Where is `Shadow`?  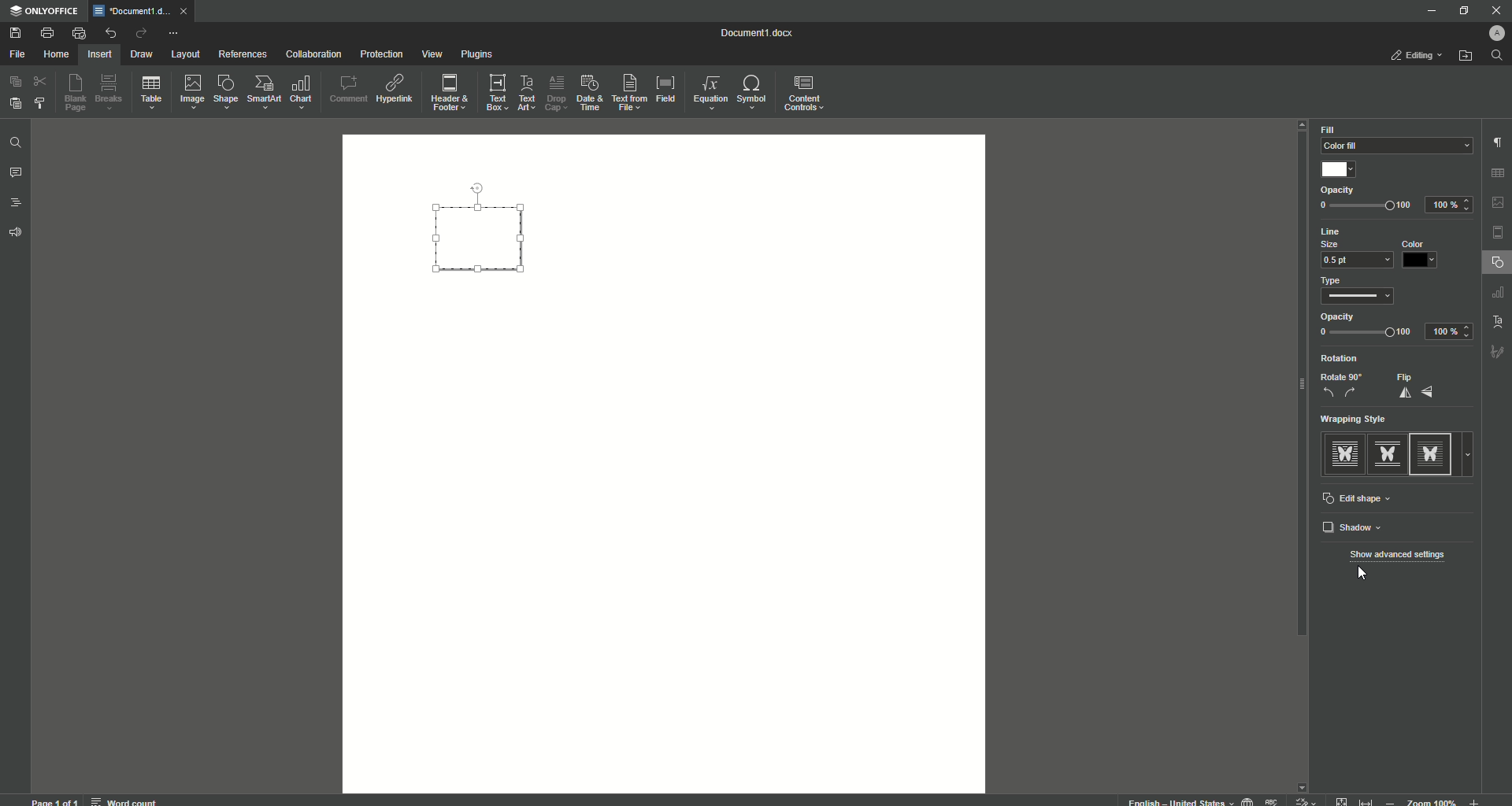 Shadow is located at coordinates (1399, 527).